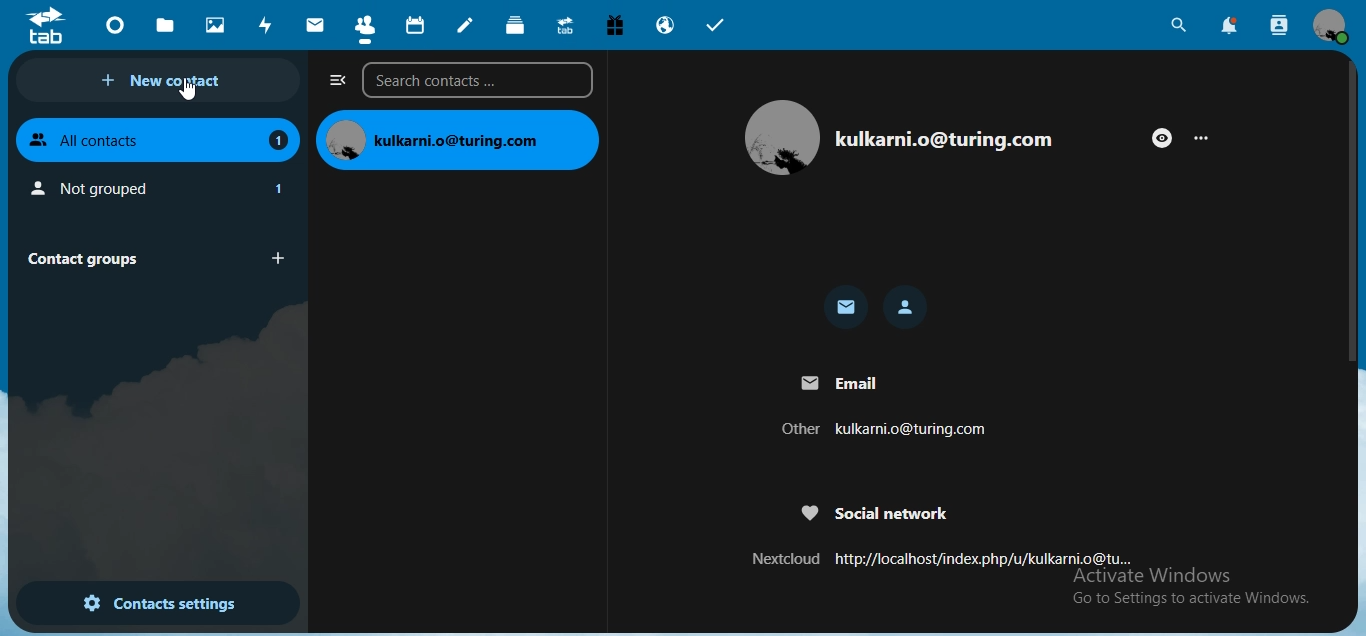  I want to click on notifications, so click(1230, 26).